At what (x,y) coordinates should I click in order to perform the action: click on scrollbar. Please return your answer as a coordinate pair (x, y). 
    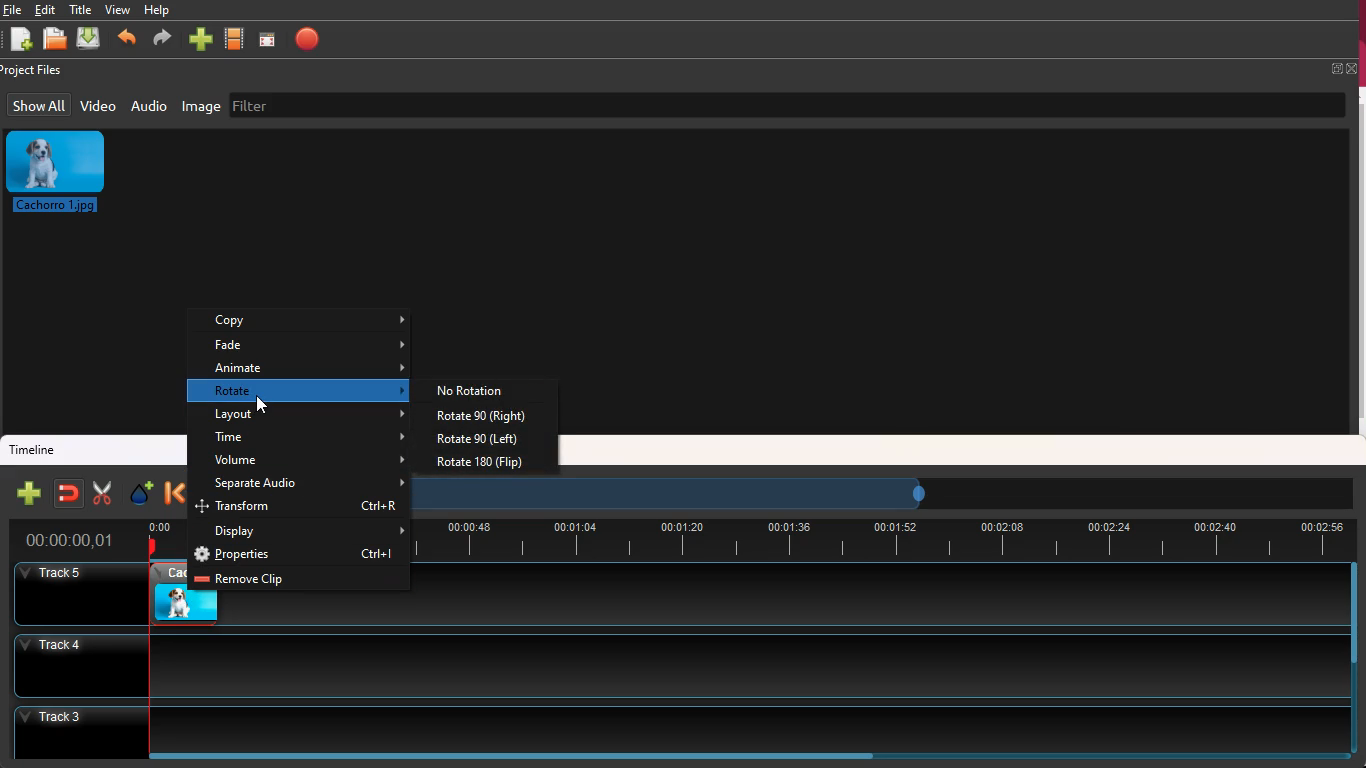
    Looking at the image, I should click on (744, 754).